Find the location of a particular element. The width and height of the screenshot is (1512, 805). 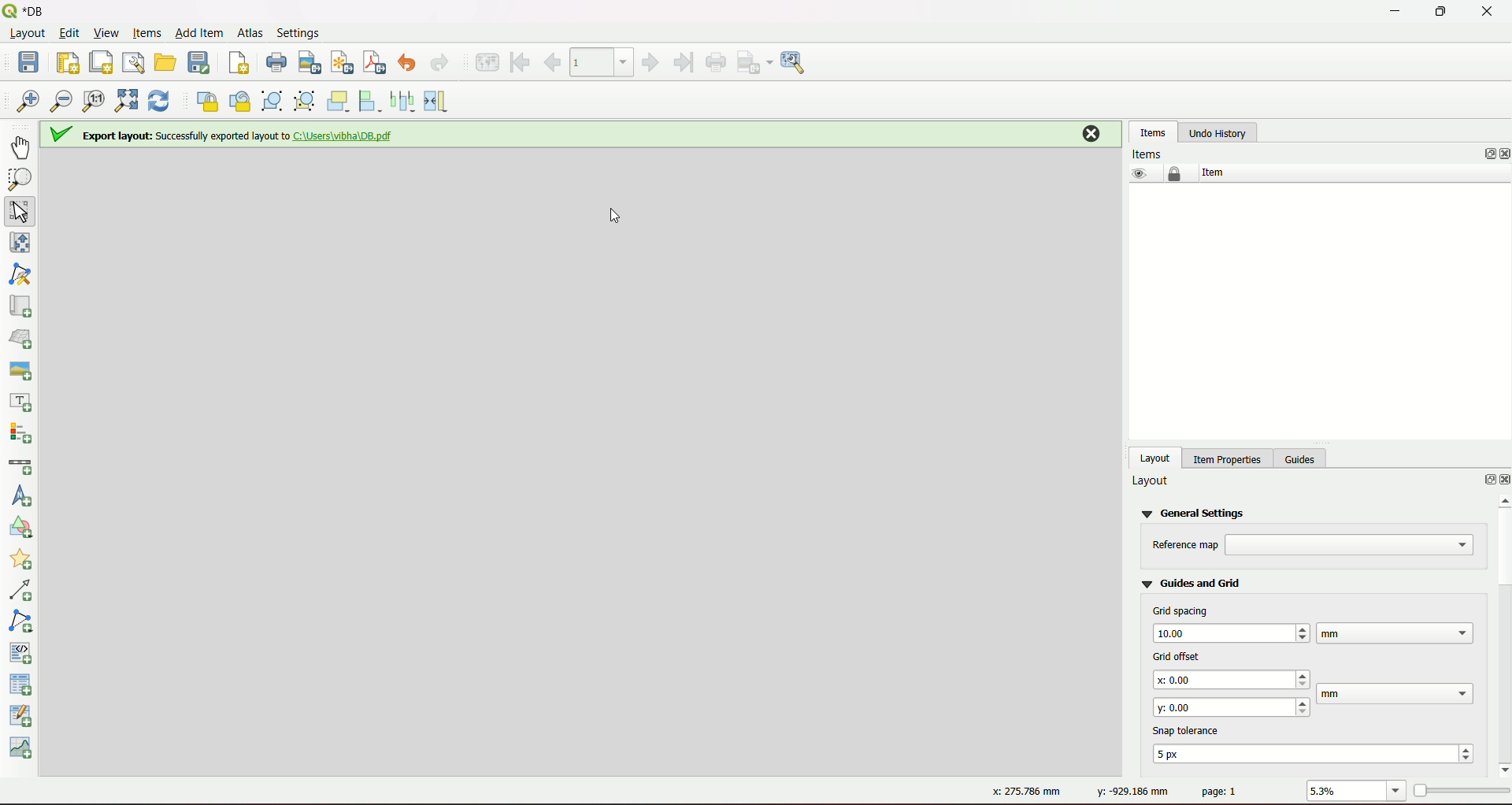

Add item is located at coordinates (198, 32).